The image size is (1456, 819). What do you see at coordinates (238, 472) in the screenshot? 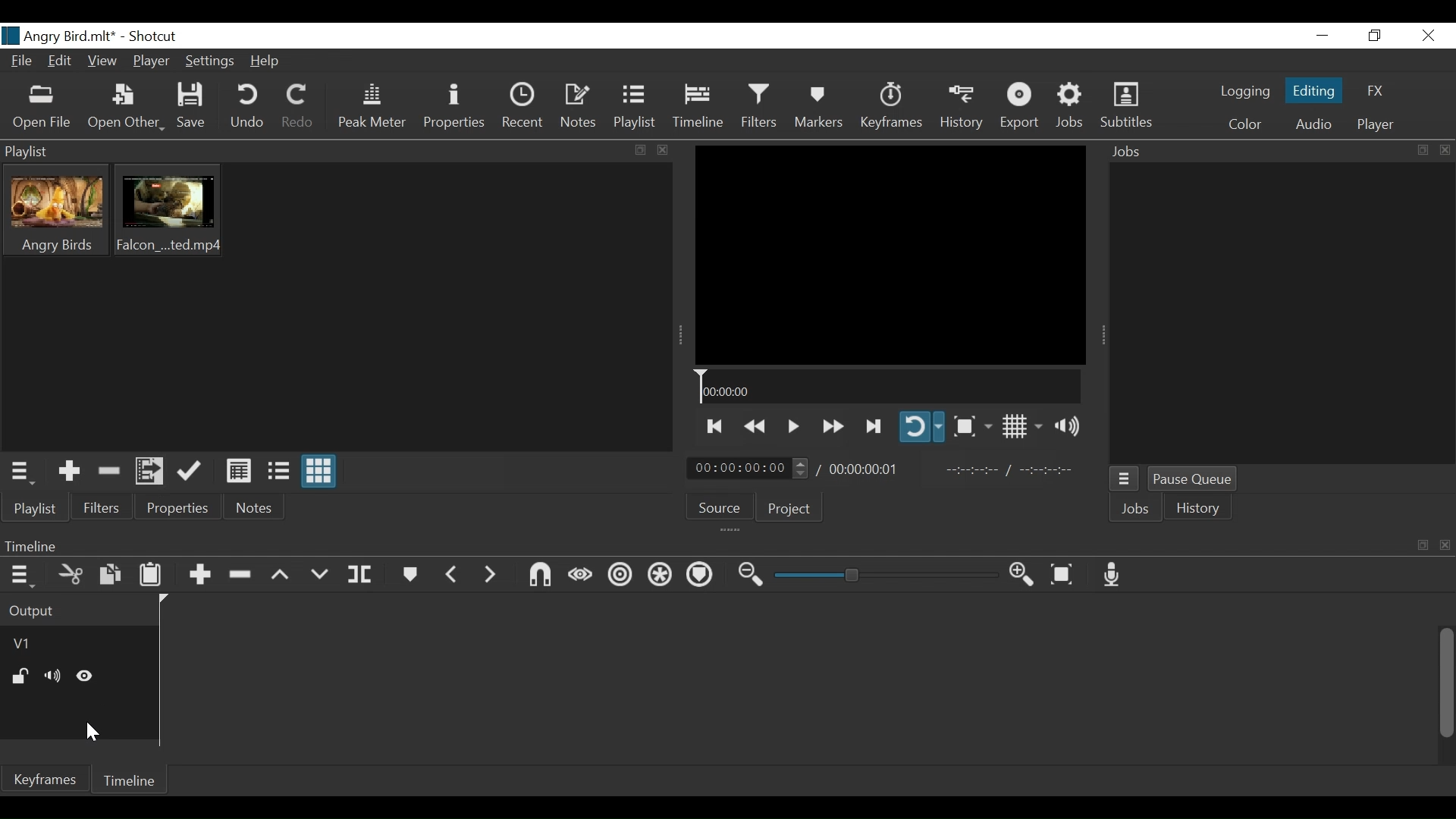
I see `View as Detail` at bounding box center [238, 472].